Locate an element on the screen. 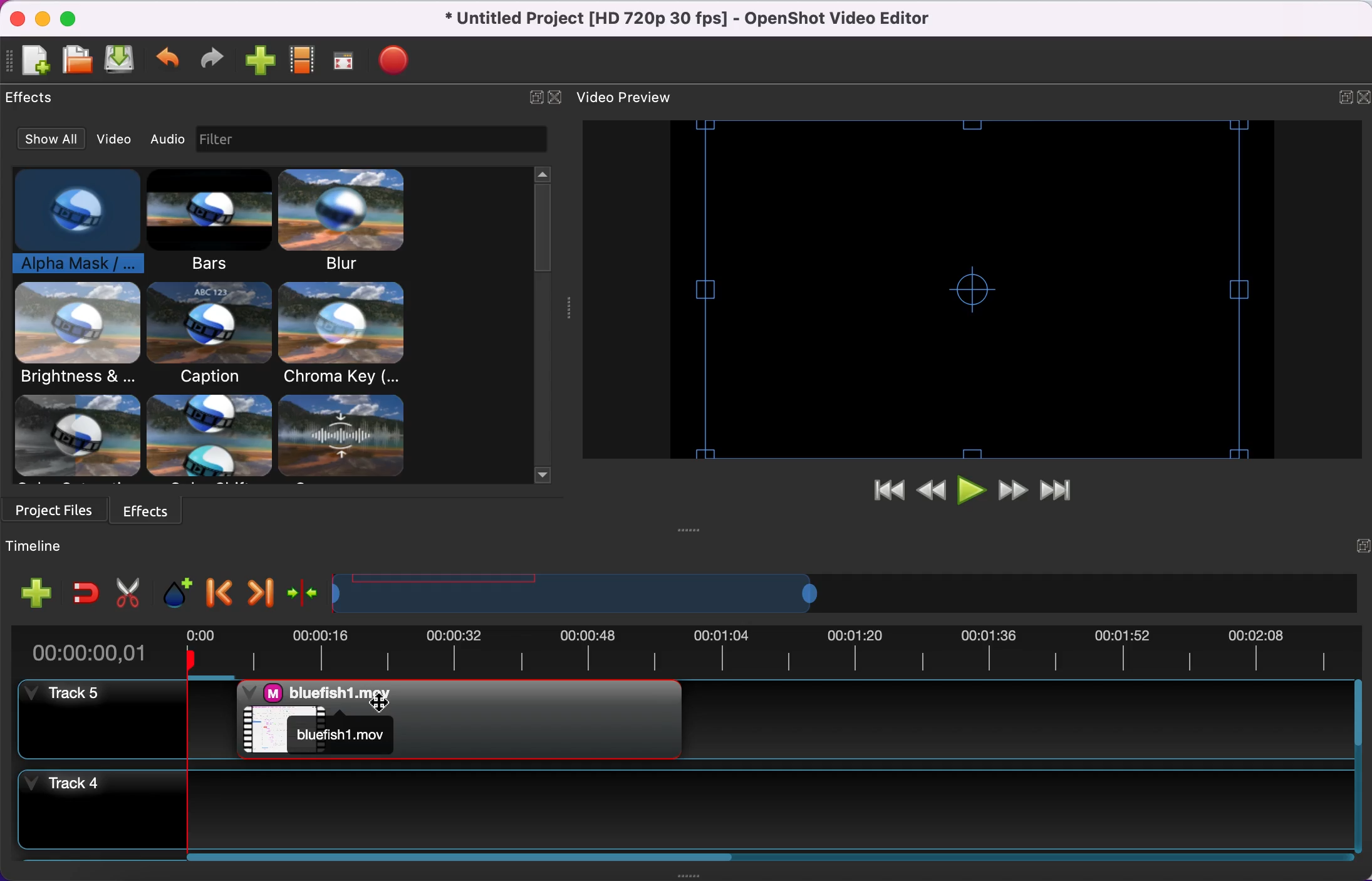 This screenshot has height=881, width=1372. Cursor is located at coordinates (375, 709).